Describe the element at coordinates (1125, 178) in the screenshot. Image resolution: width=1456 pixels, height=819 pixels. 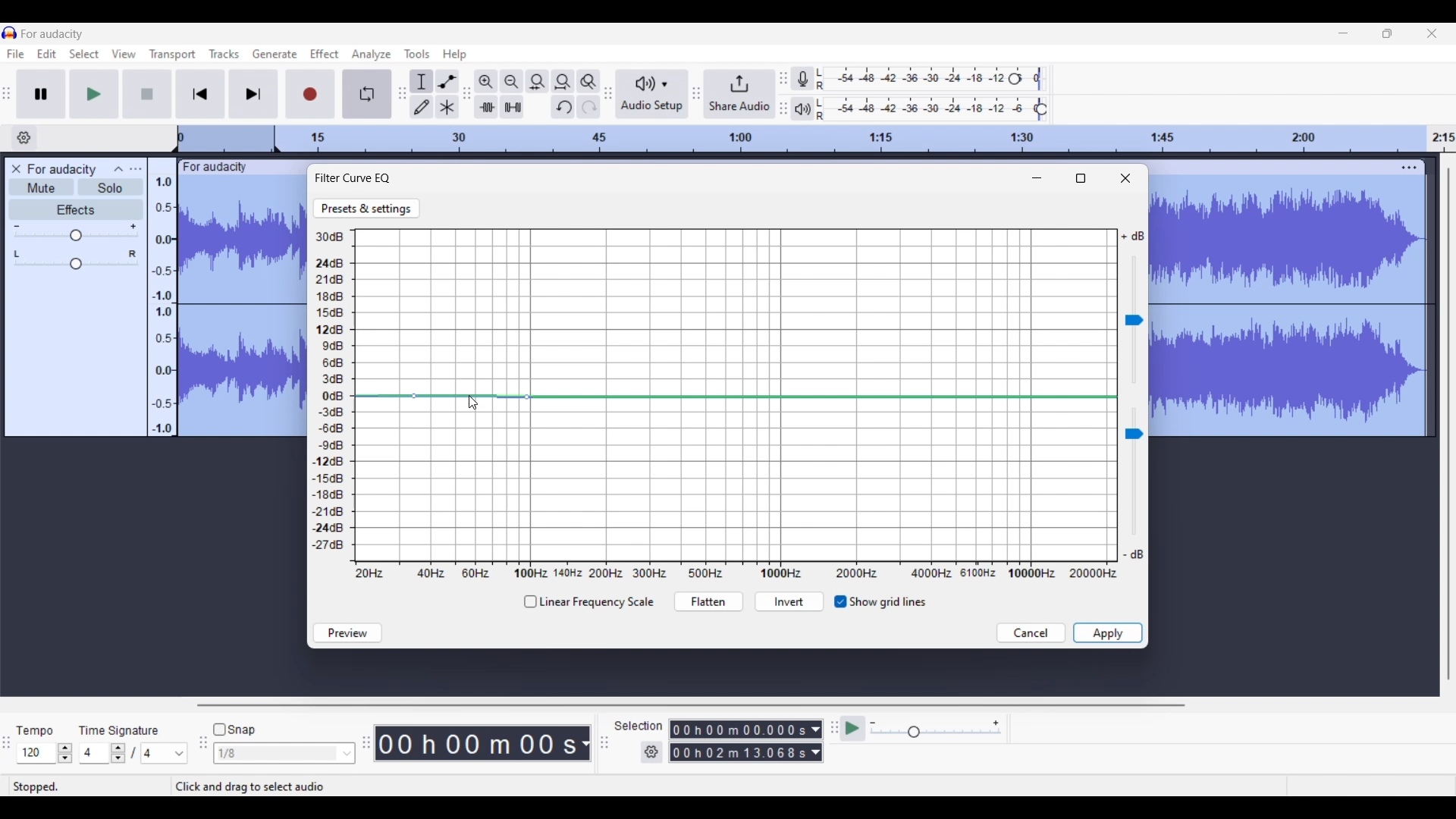
I see `Close window` at that location.